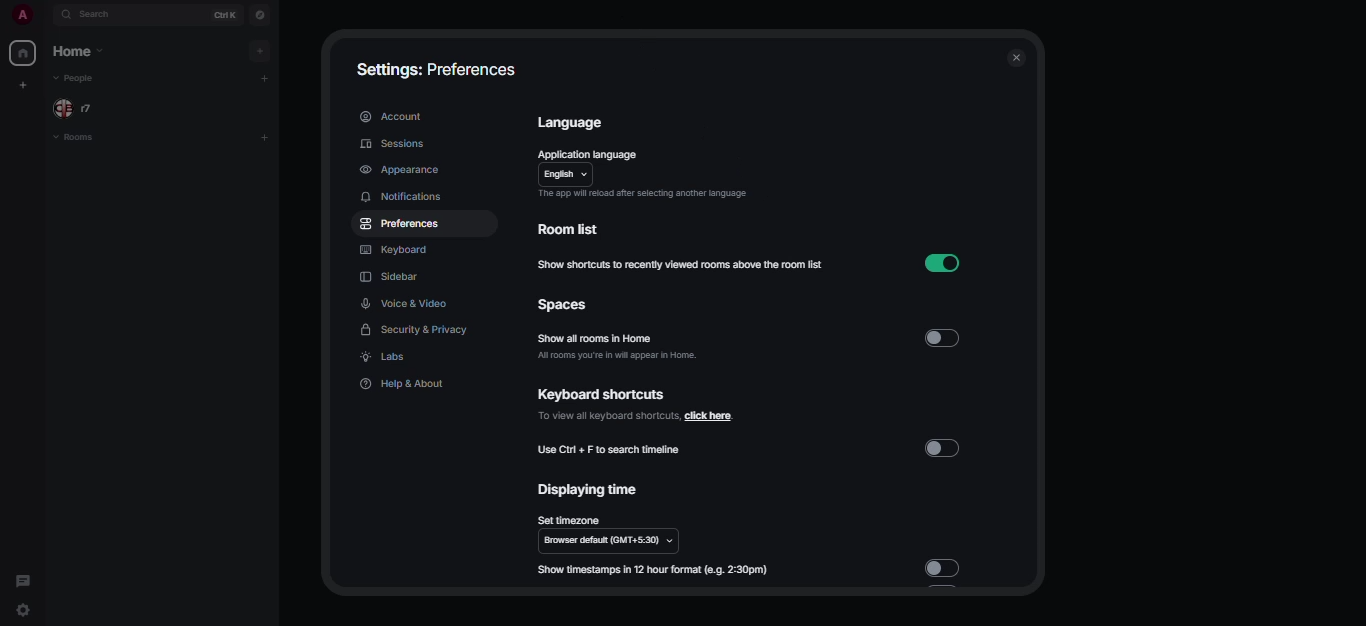  What do you see at coordinates (558, 305) in the screenshot?
I see `spaces` at bounding box center [558, 305].